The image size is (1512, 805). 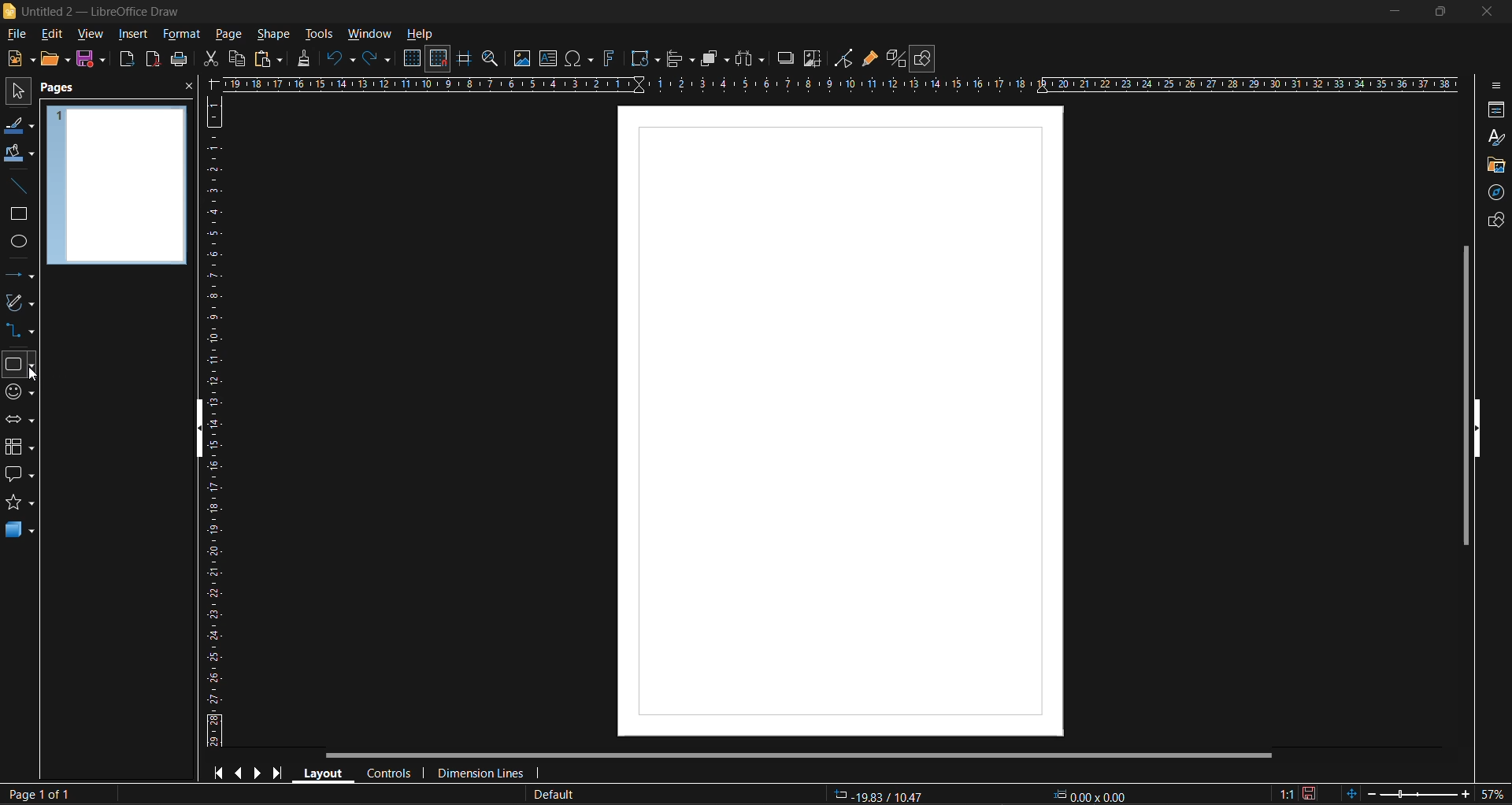 What do you see at coordinates (842, 423) in the screenshot?
I see `page` at bounding box center [842, 423].